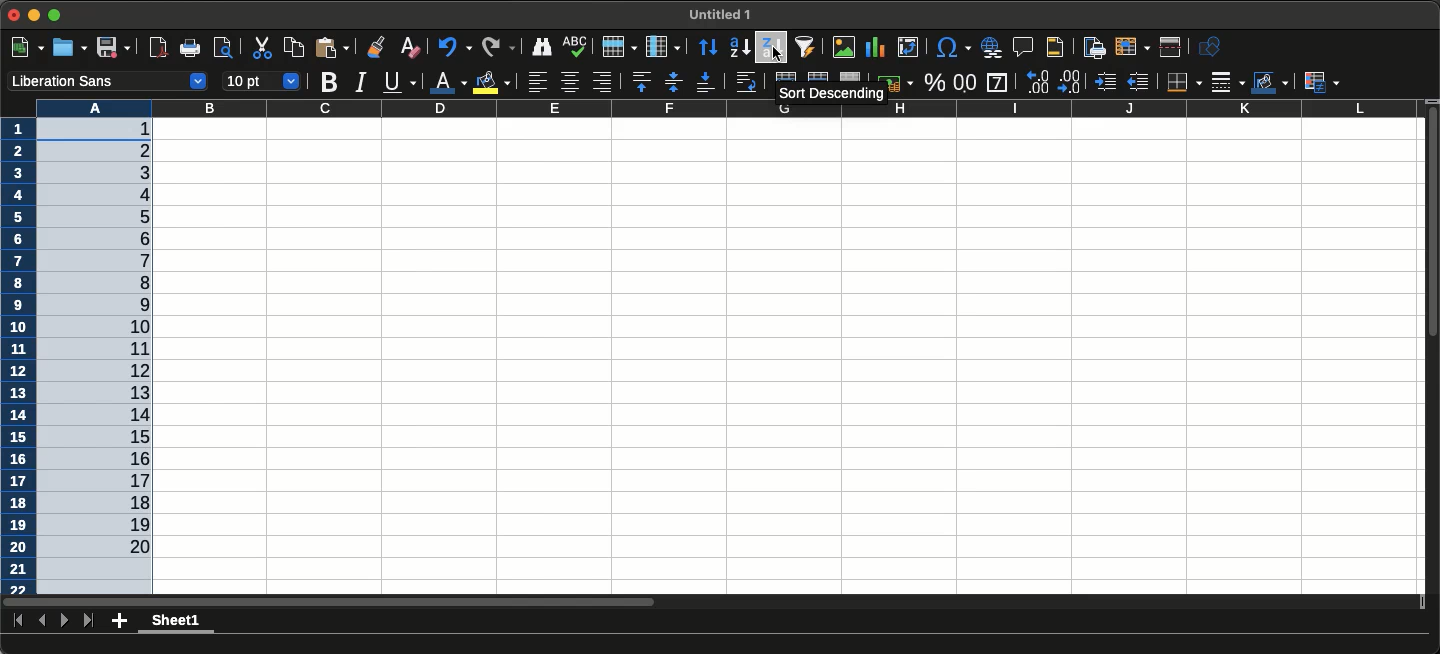 The height and width of the screenshot is (654, 1440). What do you see at coordinates (137, 195) in the screenshot?
I see `4` at bounding box center [137, 195].